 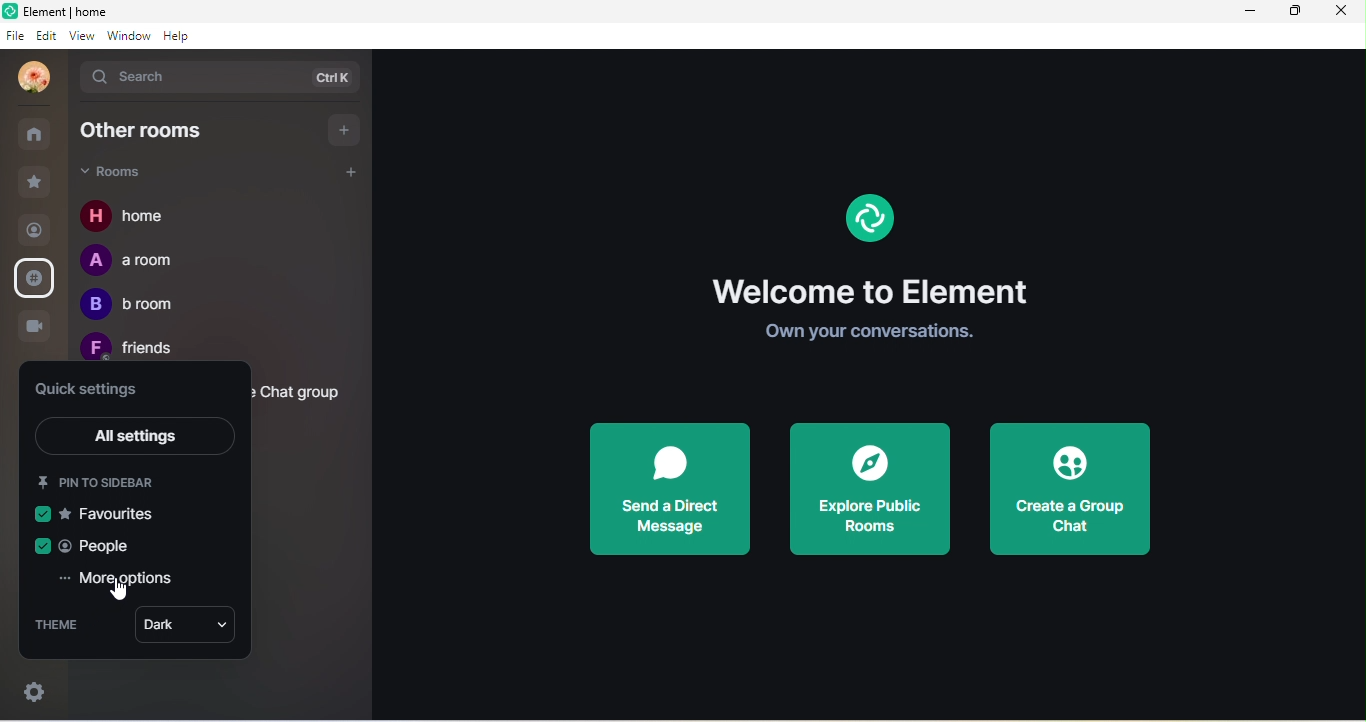 I want to click on more option, so click(x=129, y=585).